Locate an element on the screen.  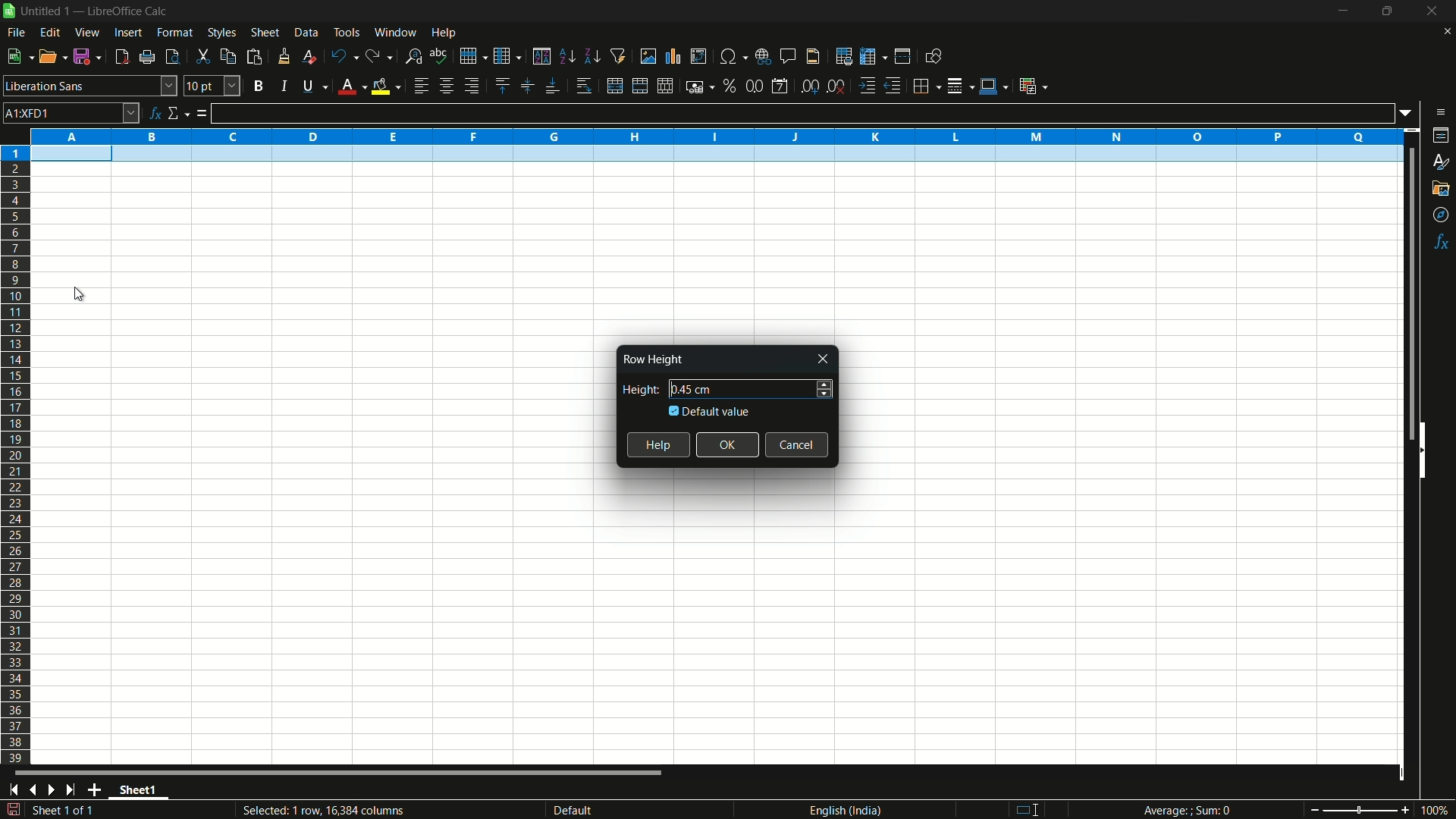
toggle print review is located at coordinates (171, 57).